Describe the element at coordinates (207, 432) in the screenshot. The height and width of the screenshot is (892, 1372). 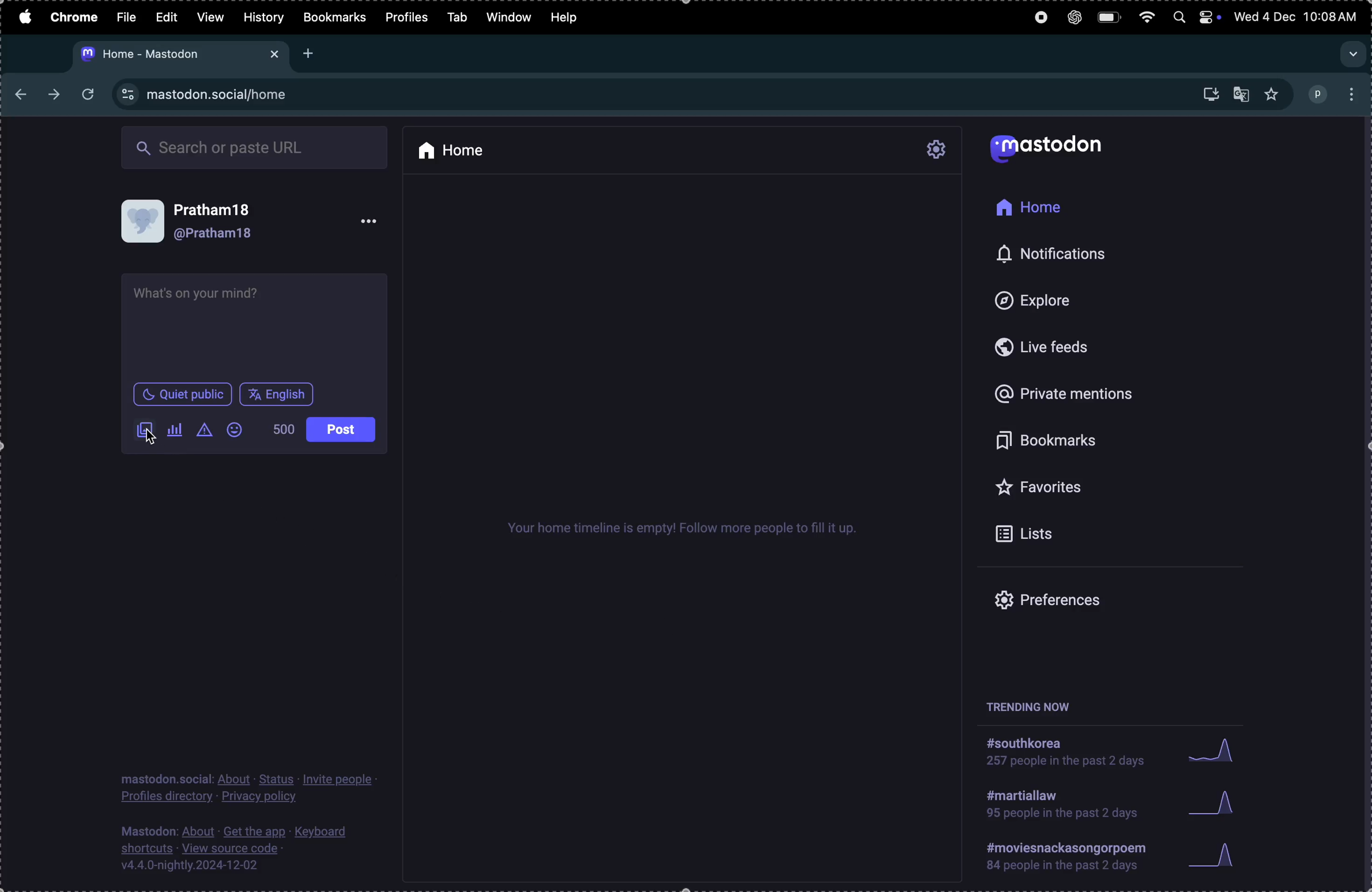
I see `add content warning` at that location.